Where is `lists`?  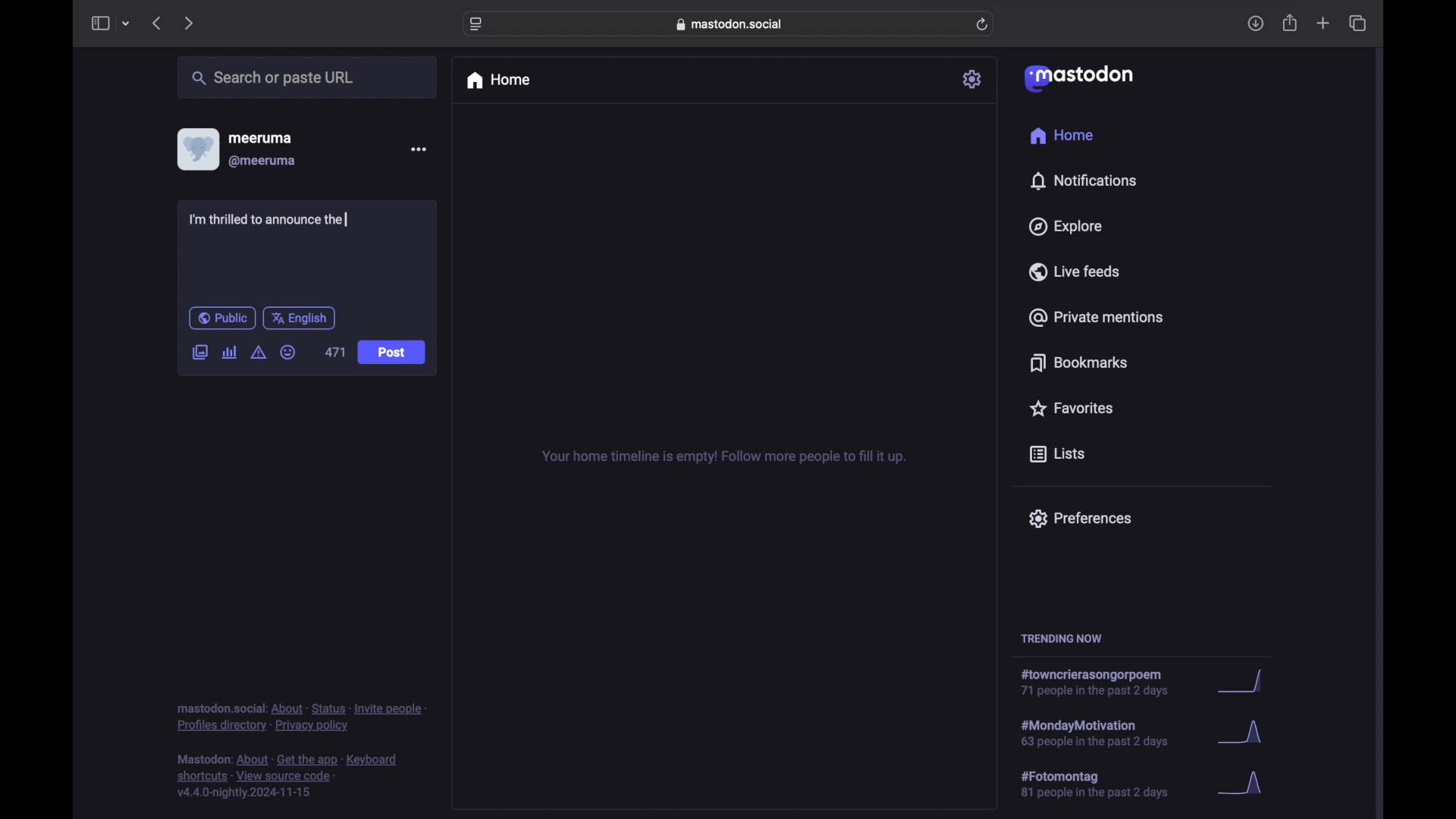 lists is located at coordinates (1057, 455).